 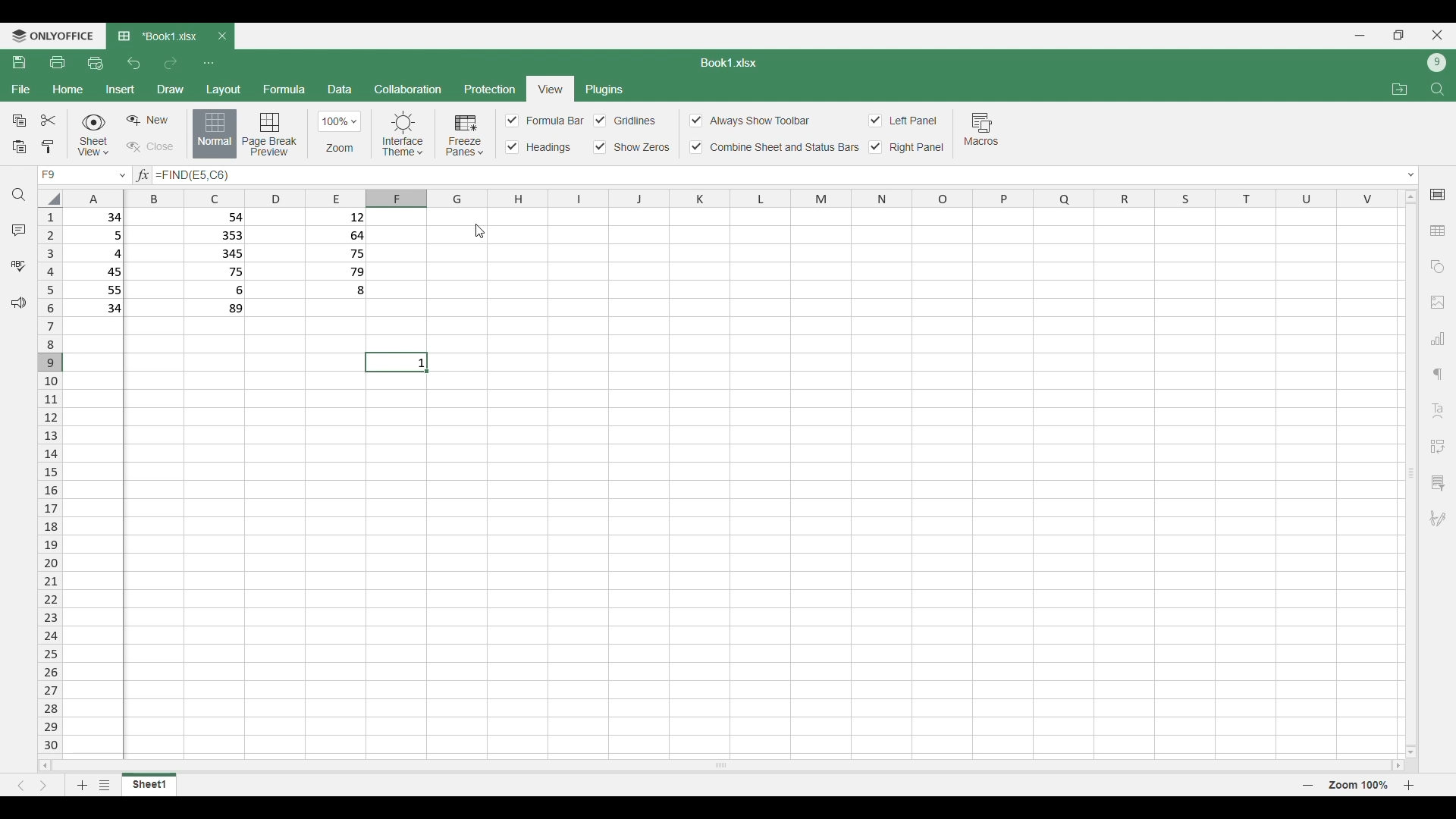 I want to click on File menu, so click(x=21, y=89).